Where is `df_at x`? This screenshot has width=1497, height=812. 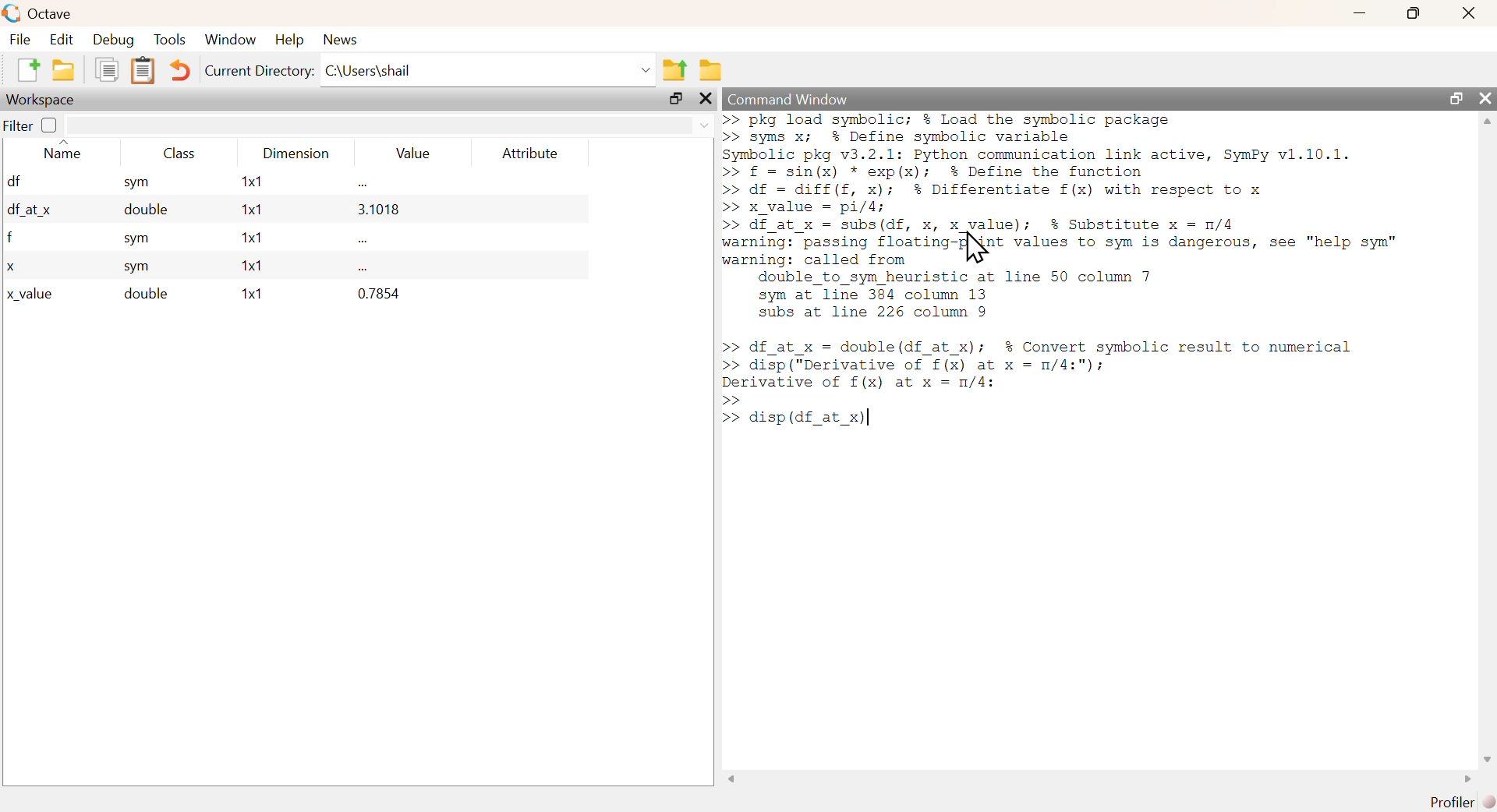
df_at x is located at coordinates (30, 212).